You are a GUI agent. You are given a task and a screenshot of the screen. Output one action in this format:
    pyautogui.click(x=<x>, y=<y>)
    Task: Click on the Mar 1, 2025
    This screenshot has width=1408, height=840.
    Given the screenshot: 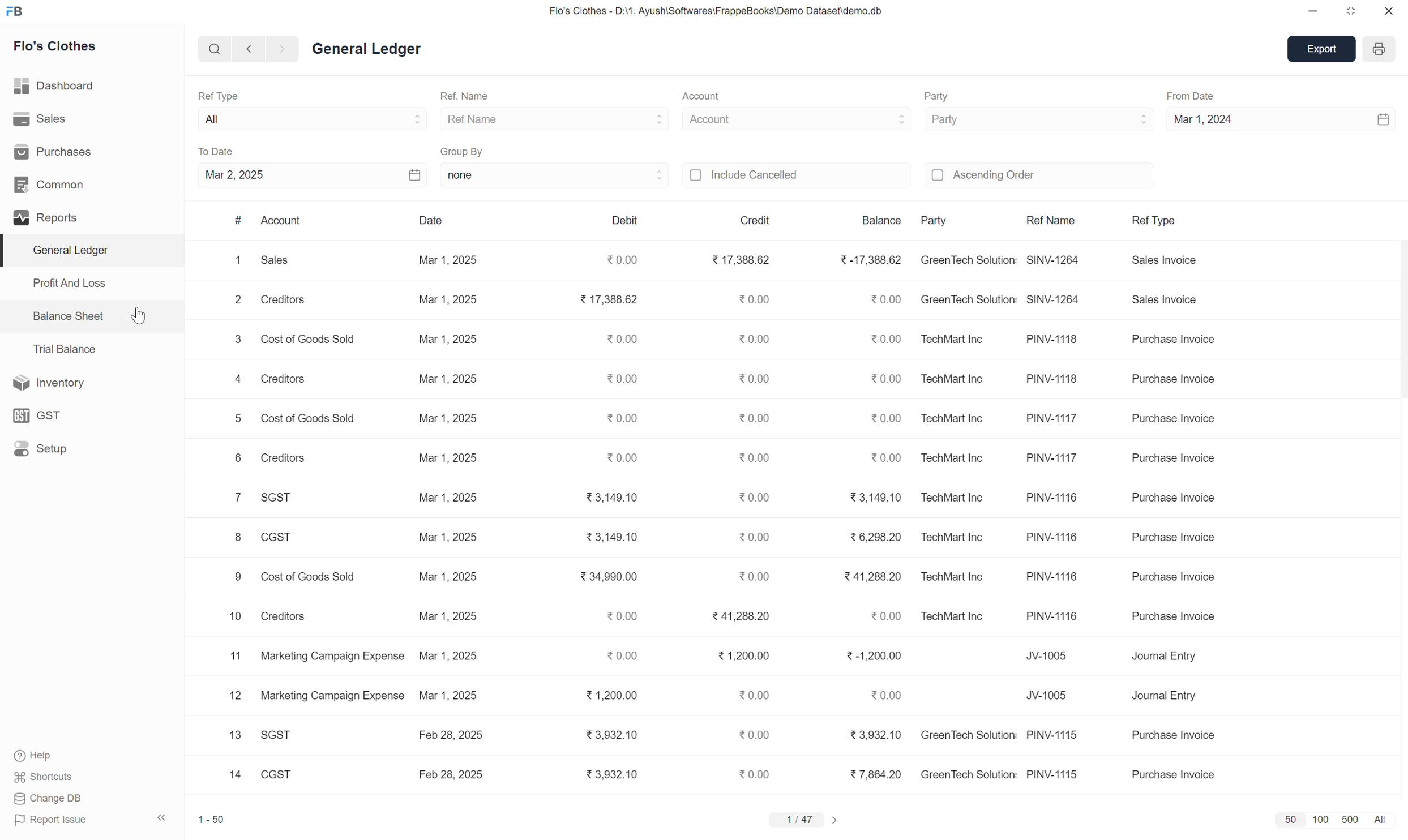 What is the action you would take?
    pyautogui.click(x=448, y=696)
    